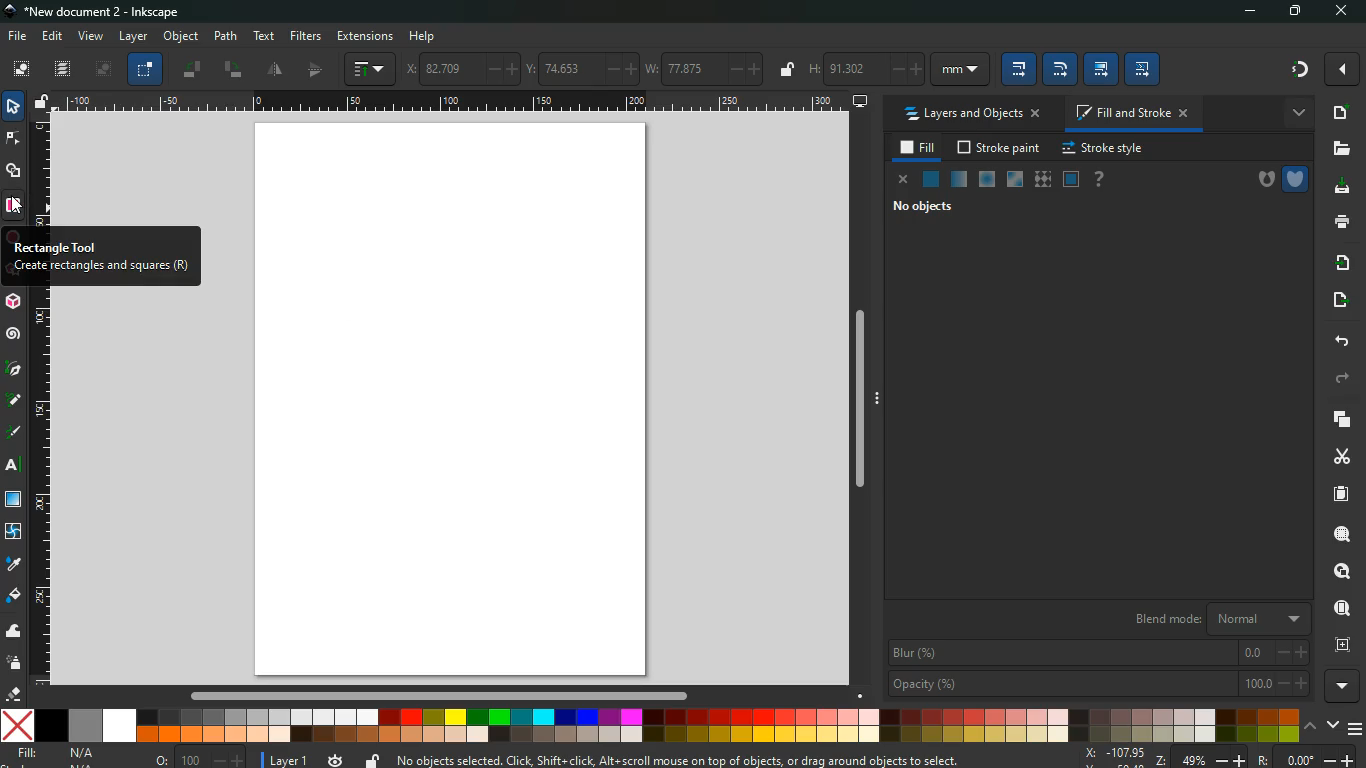  Describe the element at coordinates (14, 598) in the screenshot. I see `fill` at that location.